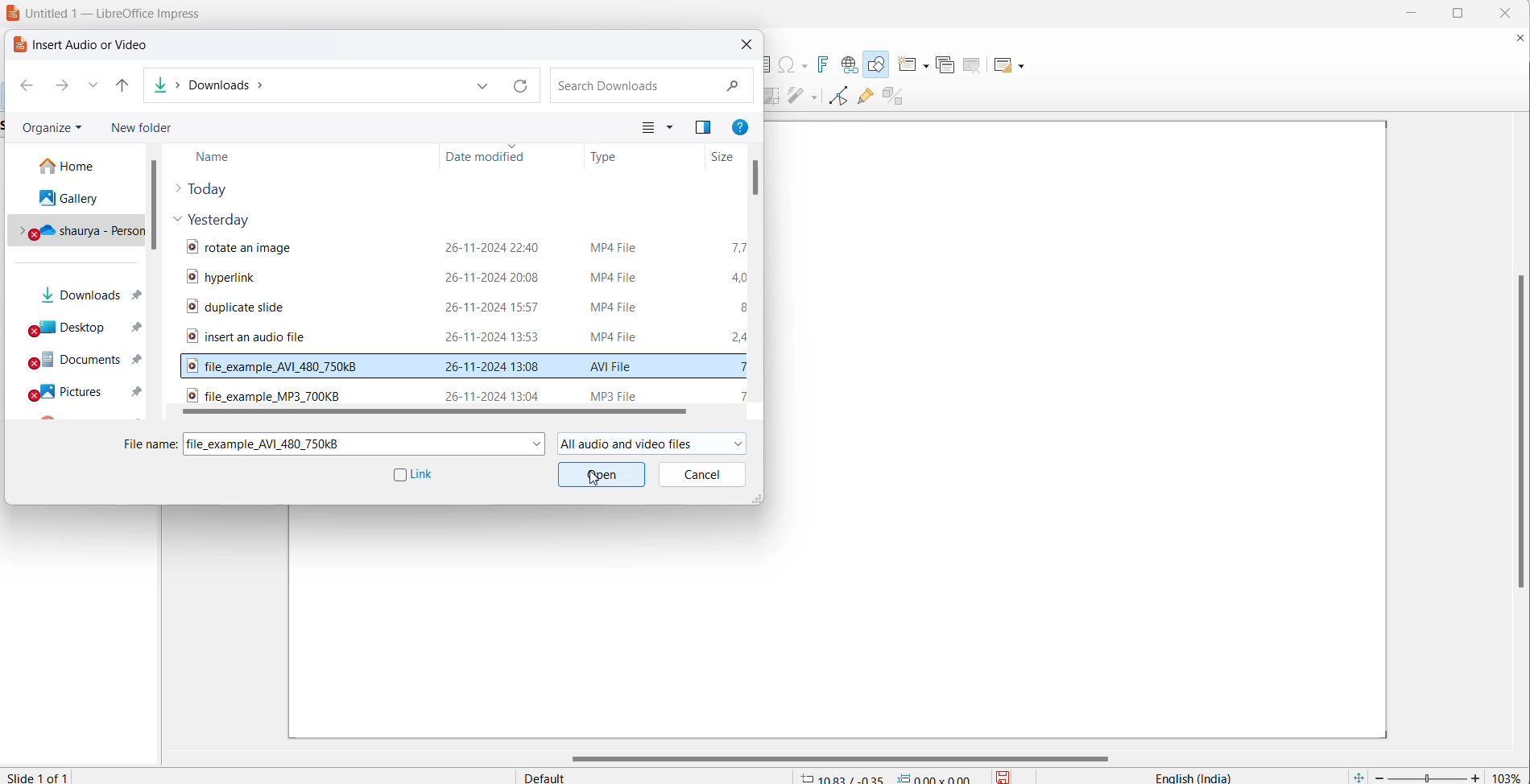 The height and width of the screenshot is (784, 1530). I want to click on logo, so click(11, 14).